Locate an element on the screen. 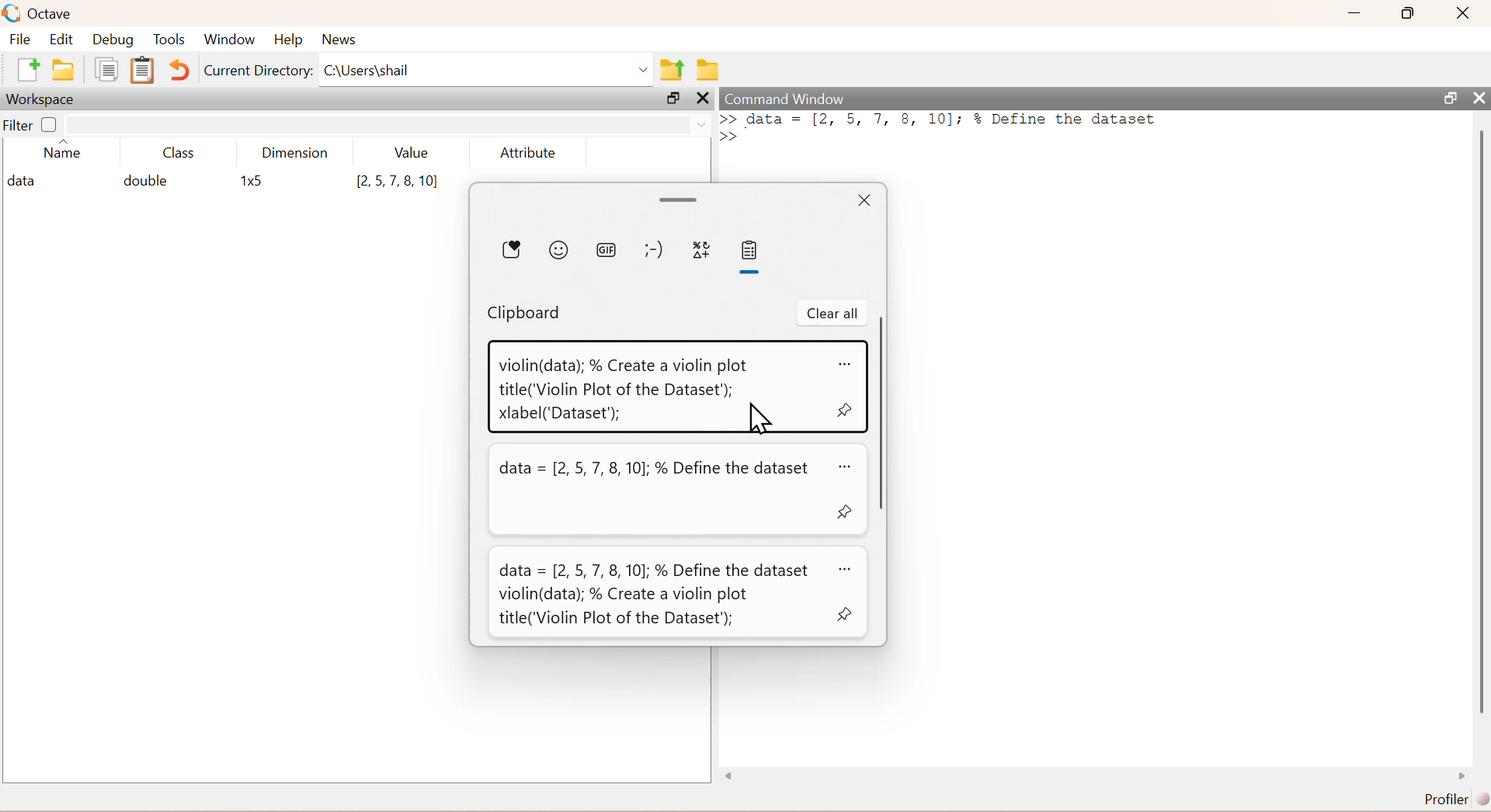 This screenshot has height=812, width=1491. violin(data); % Create a violin plot
title('Violin Plot of the Dataset);
xlabel('Dataset’); is located at coordinates (624, 389).